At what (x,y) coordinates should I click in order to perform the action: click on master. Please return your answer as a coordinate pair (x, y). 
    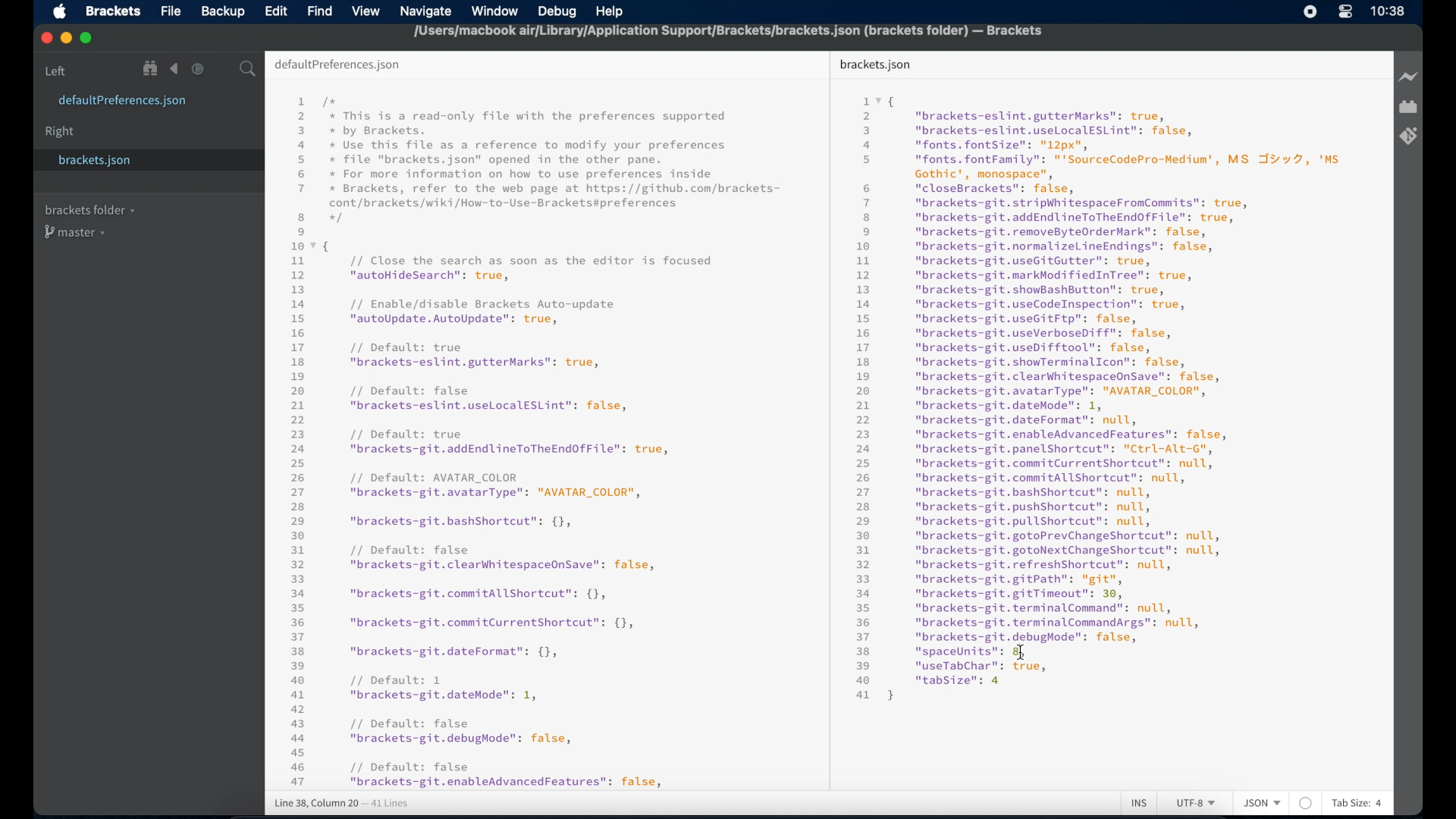
    Looking at the image, I should click on (77, 232).